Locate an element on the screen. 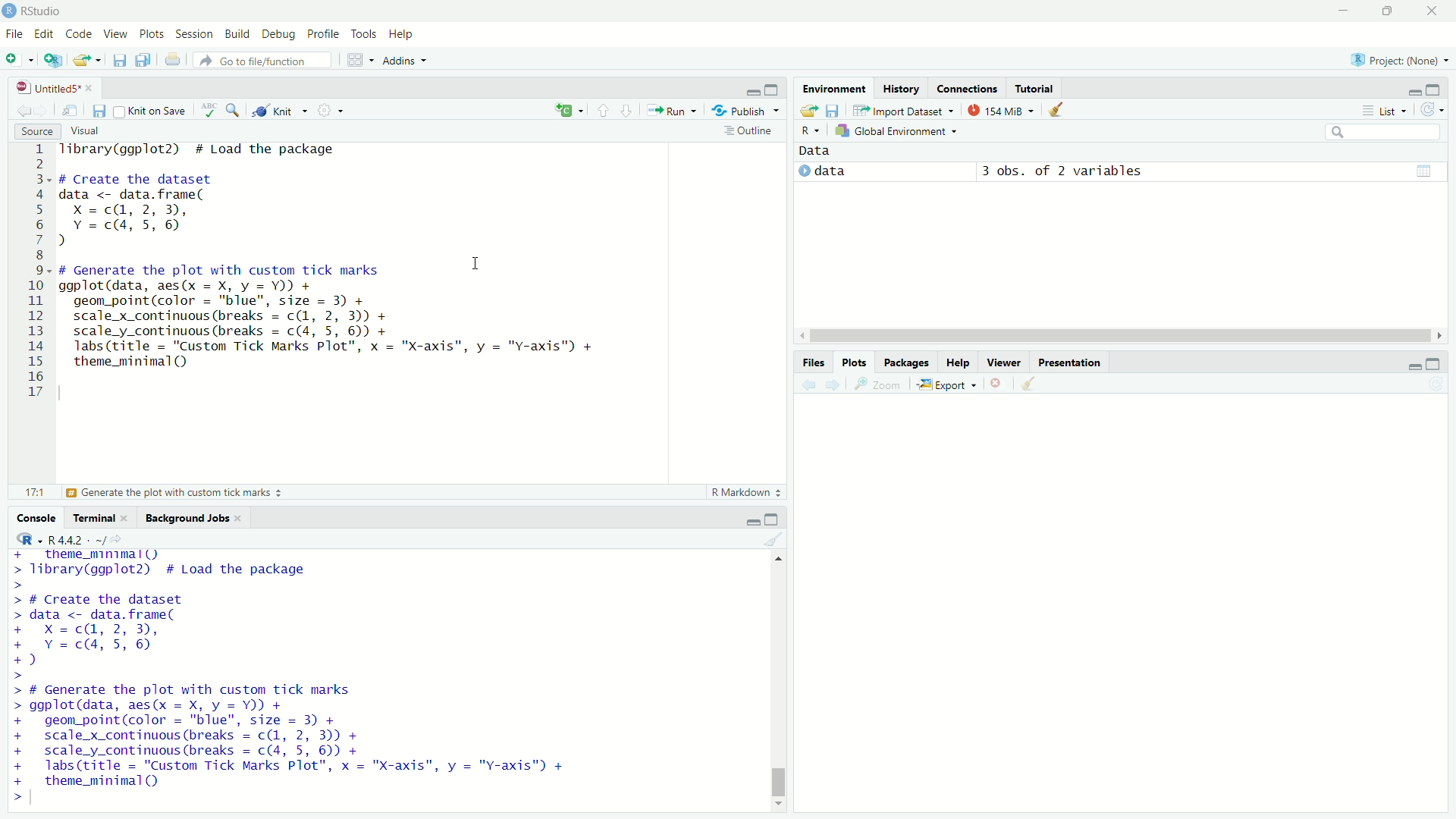 The width and height of the screenshot is (1456, 819). scrollbar is located at coordinates (777, 684).